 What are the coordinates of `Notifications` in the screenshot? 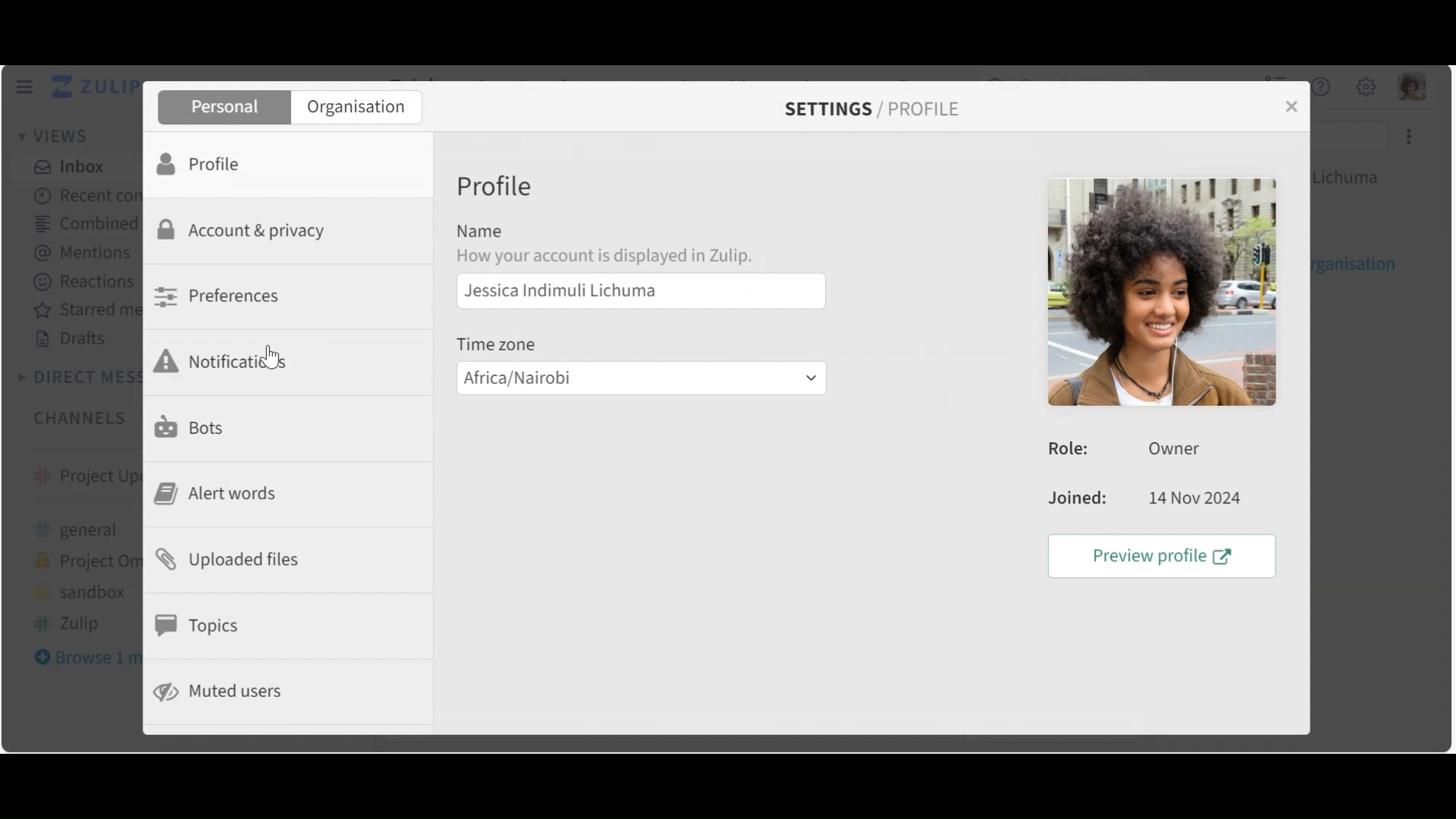 It's located at (231, 361).